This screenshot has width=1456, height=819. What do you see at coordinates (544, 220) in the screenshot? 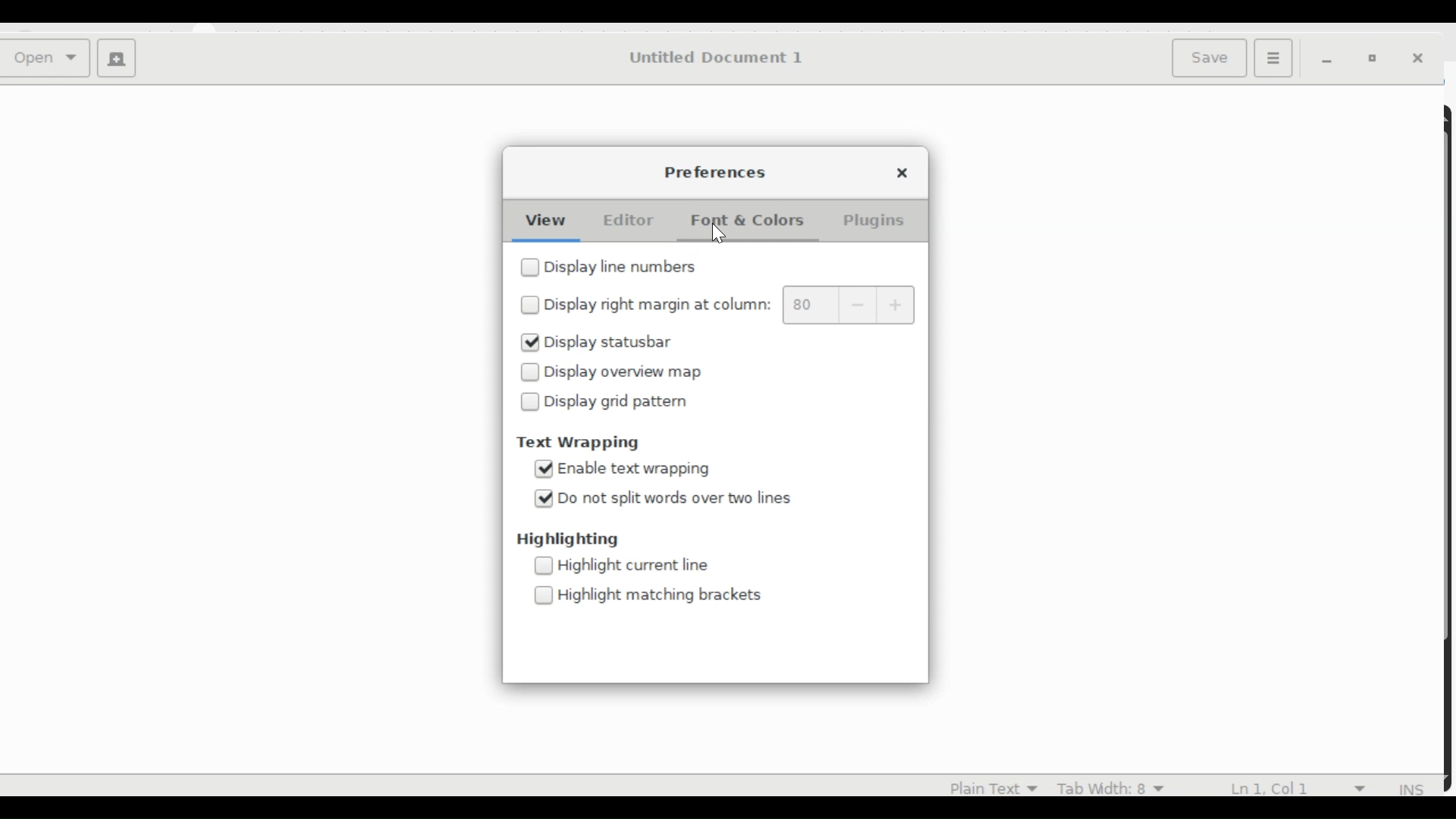
I see `current selected View tab` at bounding box center [544, 220].